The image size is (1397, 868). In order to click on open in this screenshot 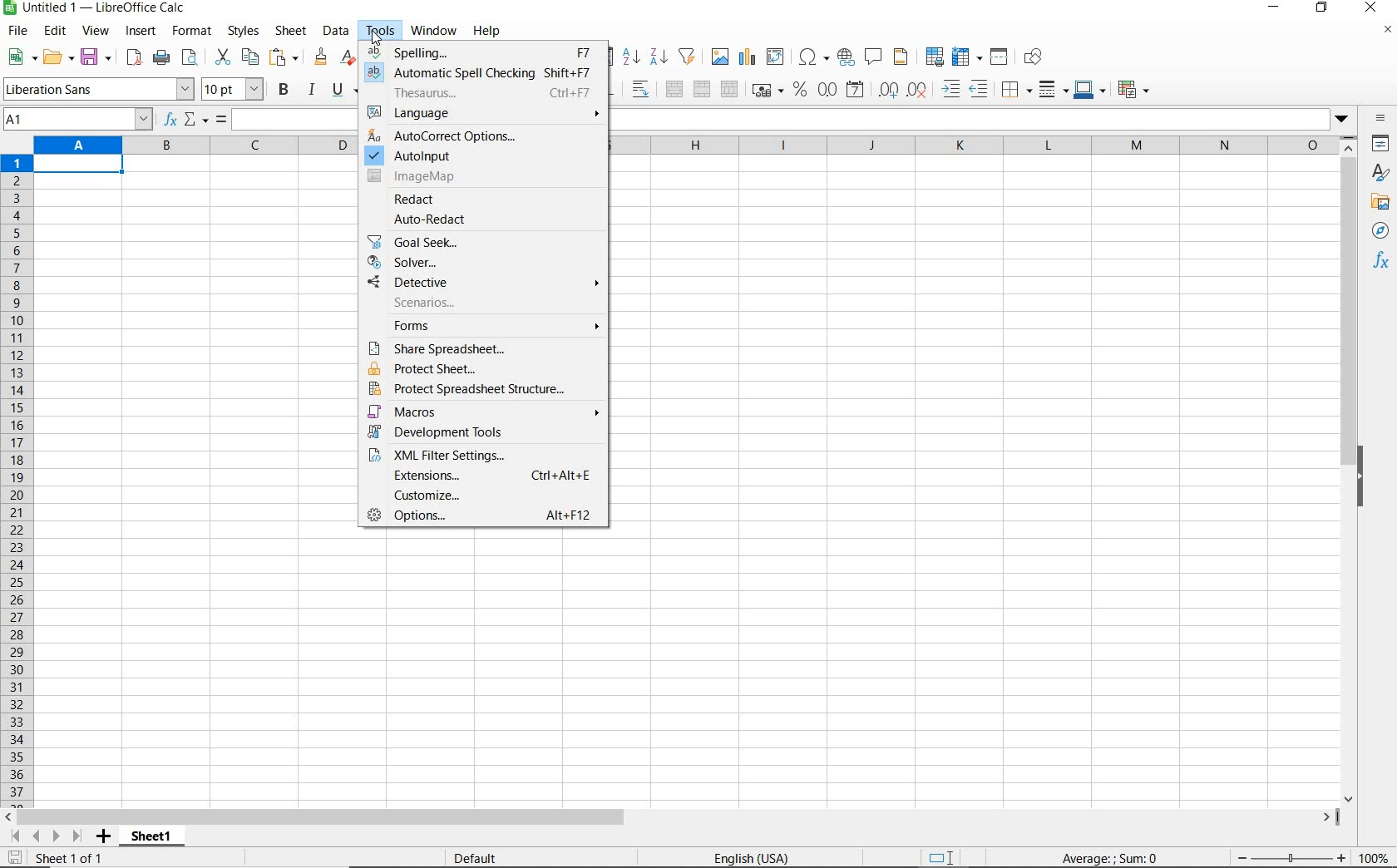, I will do `click(57, 57)`.